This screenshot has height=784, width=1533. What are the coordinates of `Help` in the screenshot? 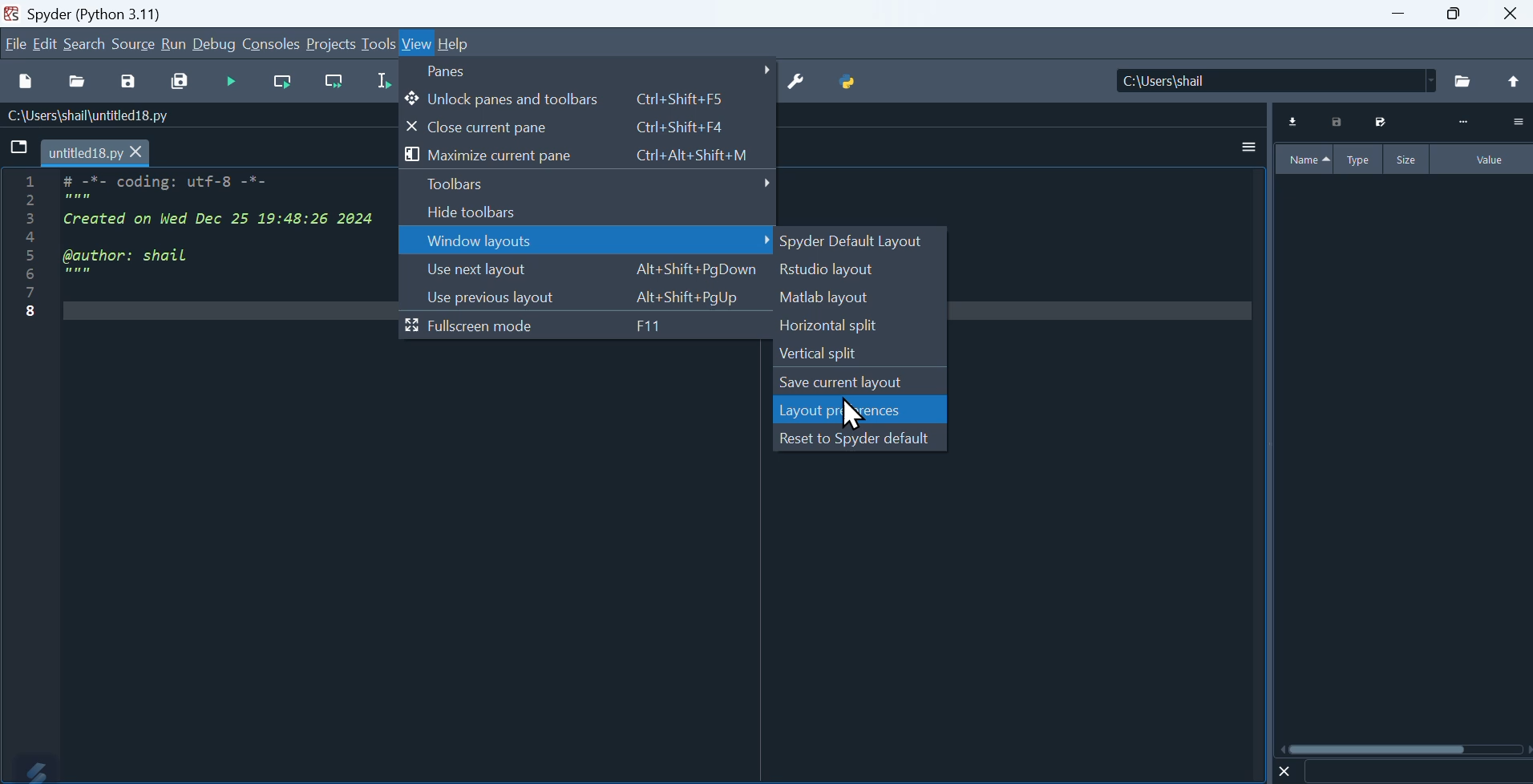 It's located at (455, 44).